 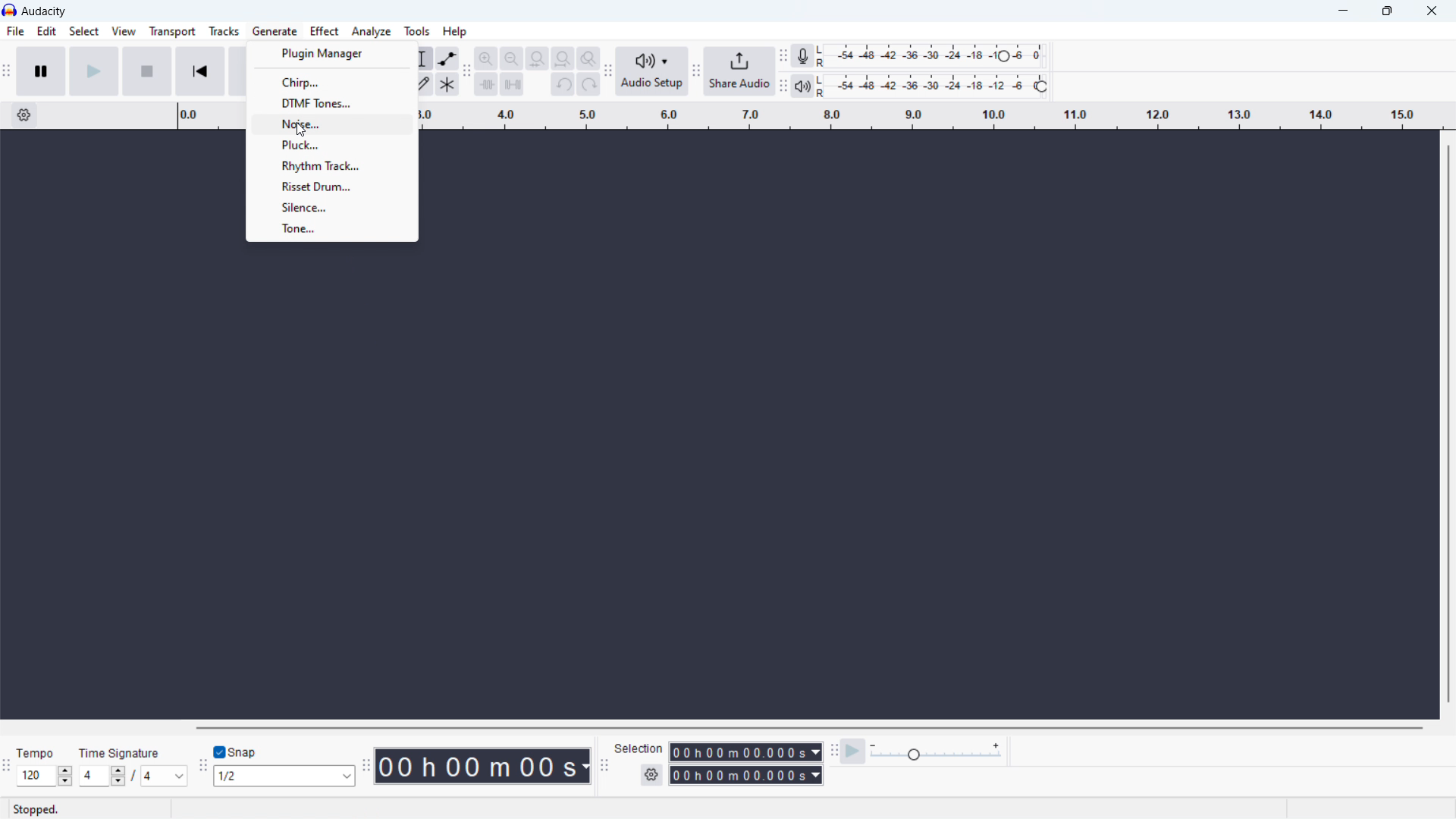 What do you see at coordinates (940, 86) in the screenshot?
I see `playback level` at bounding box center [940, 86].